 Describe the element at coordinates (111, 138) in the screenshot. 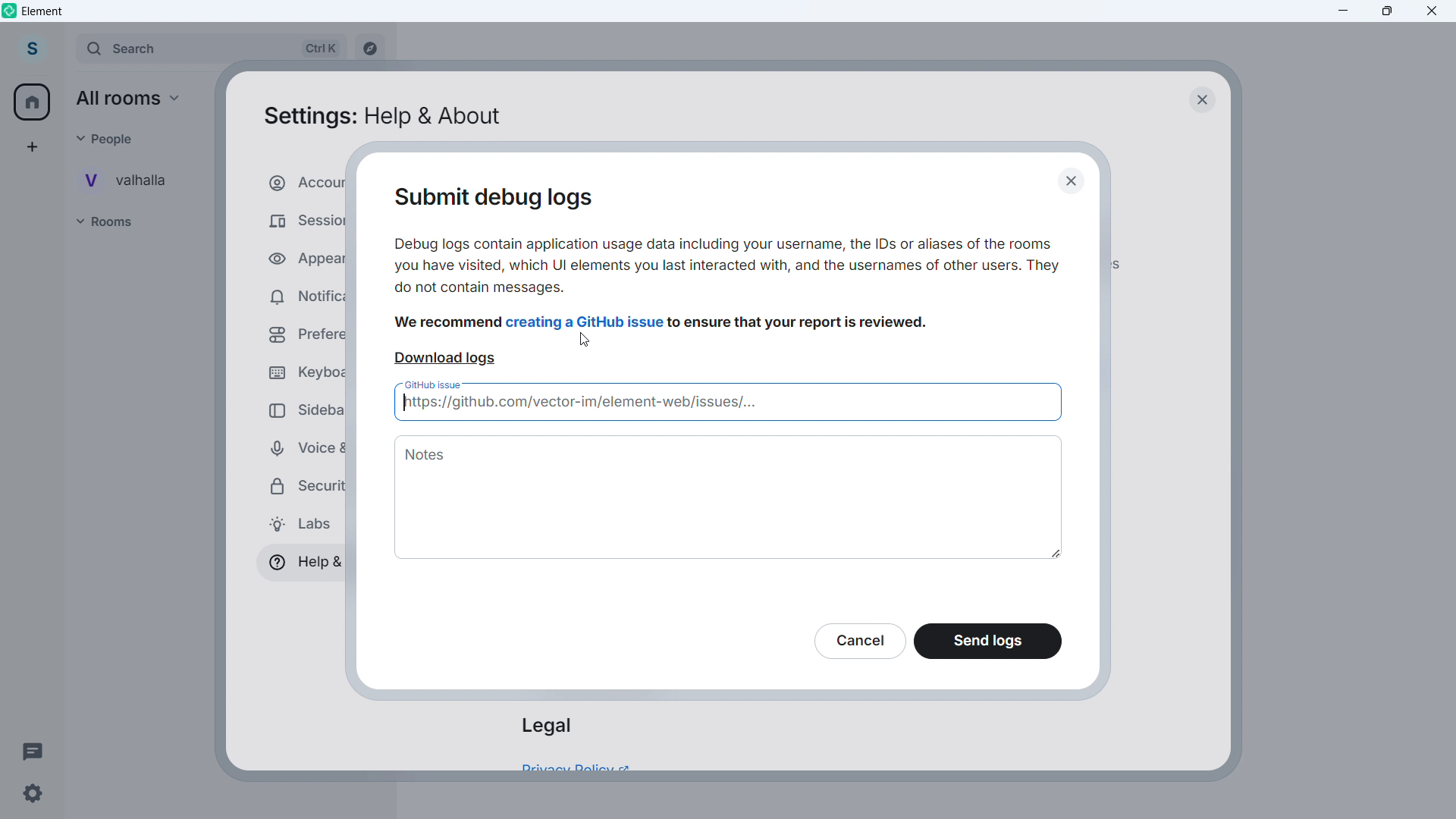

I see `` at that location.